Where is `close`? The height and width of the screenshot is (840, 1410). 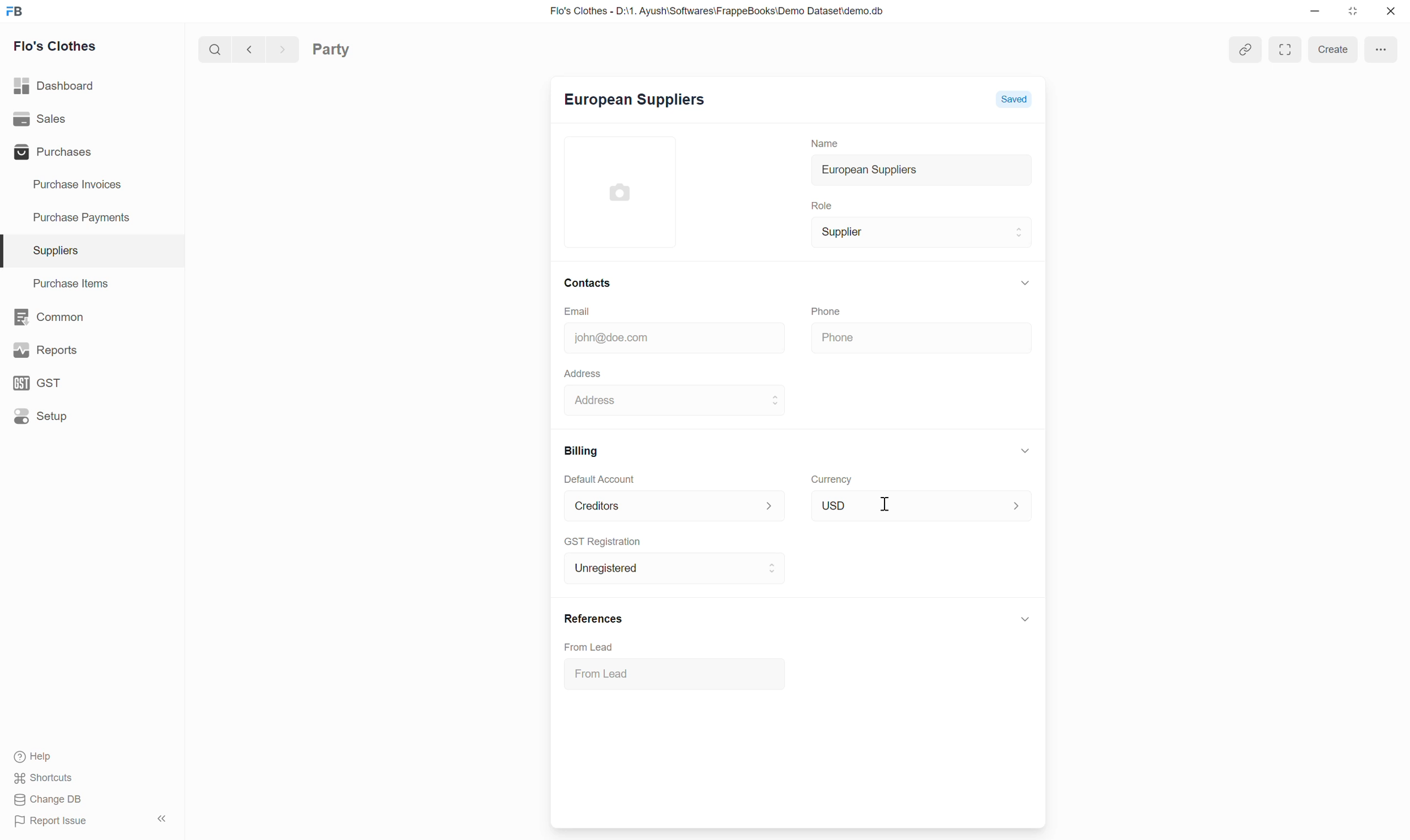
close is located at coordinates (1391, 13).